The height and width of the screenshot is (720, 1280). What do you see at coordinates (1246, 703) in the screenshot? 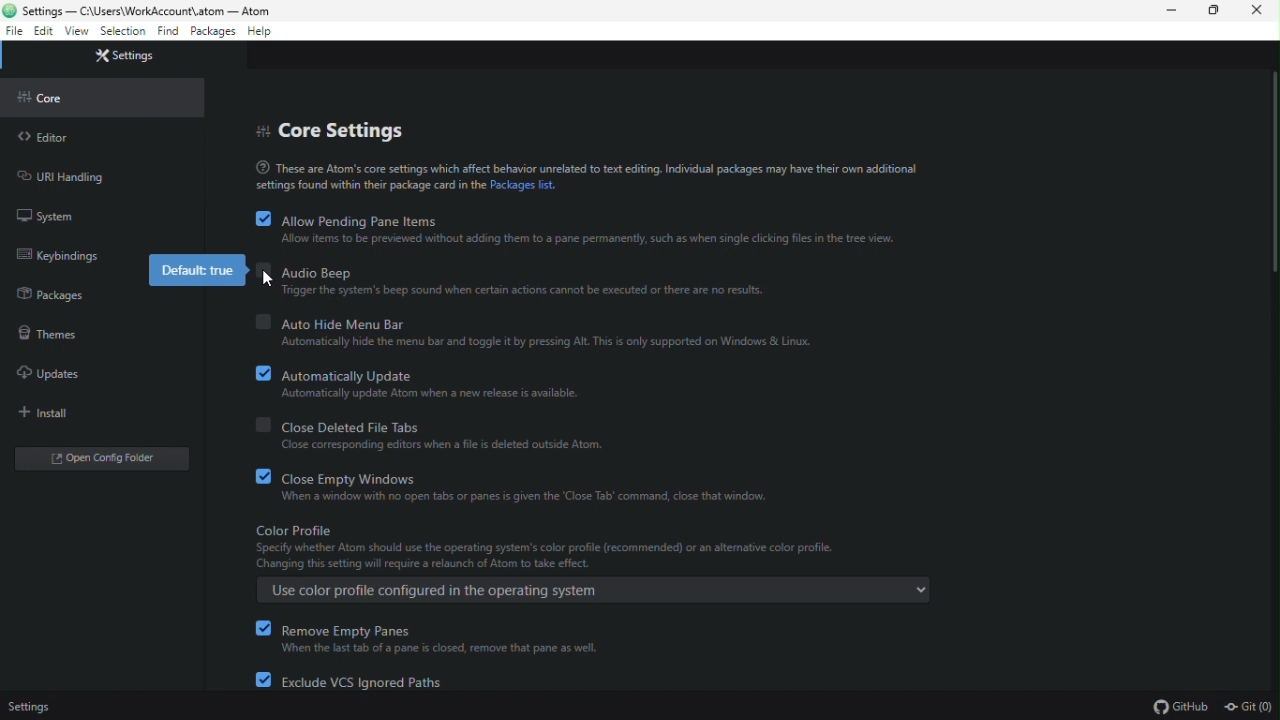
I see `Git ` at bounding box center [1246, 703].